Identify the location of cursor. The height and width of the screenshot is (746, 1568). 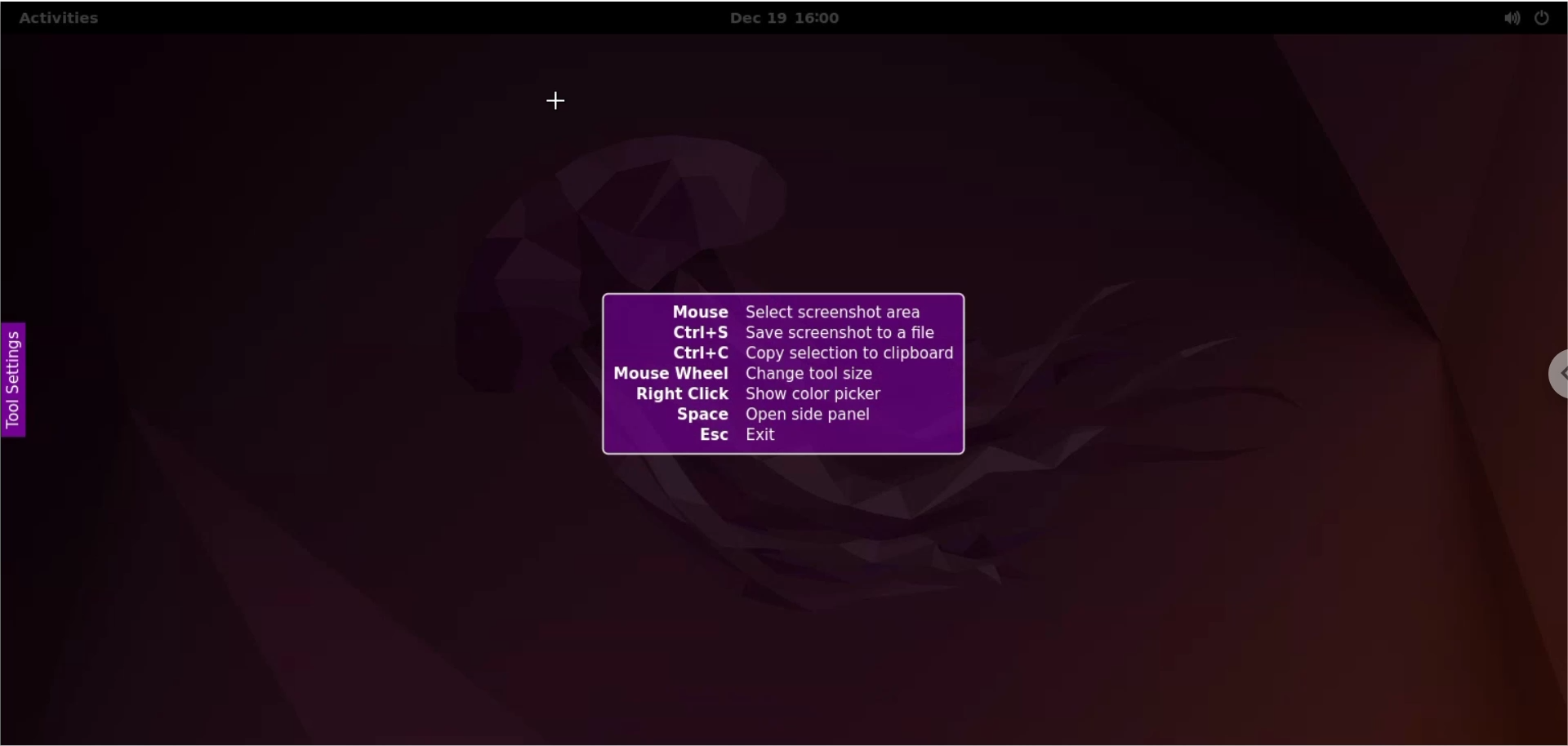
(555, 105).